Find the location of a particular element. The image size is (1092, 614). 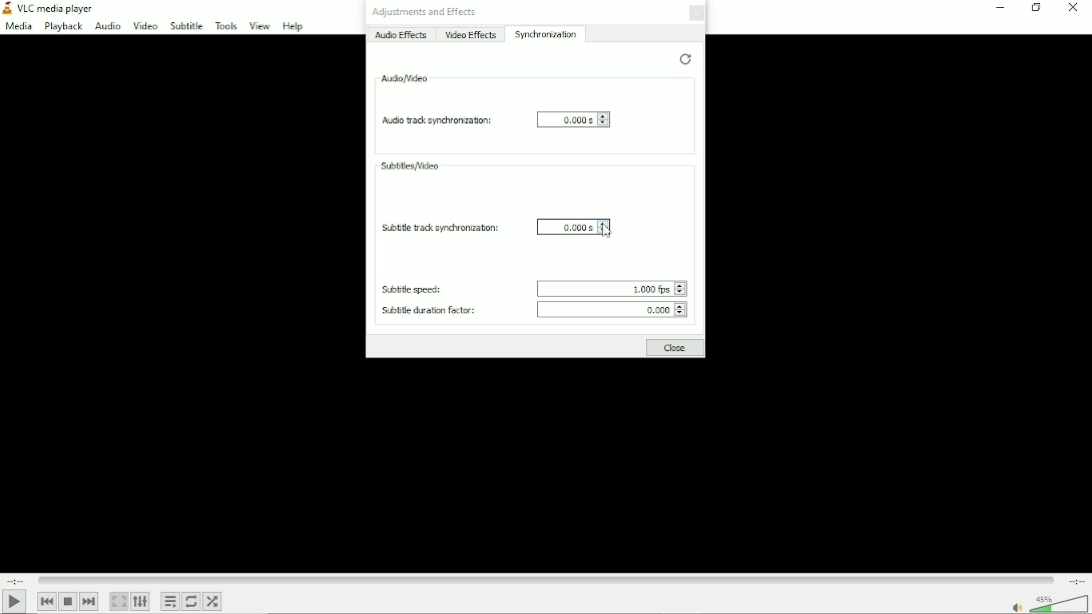

Previous is located at coordinates (47, 601).